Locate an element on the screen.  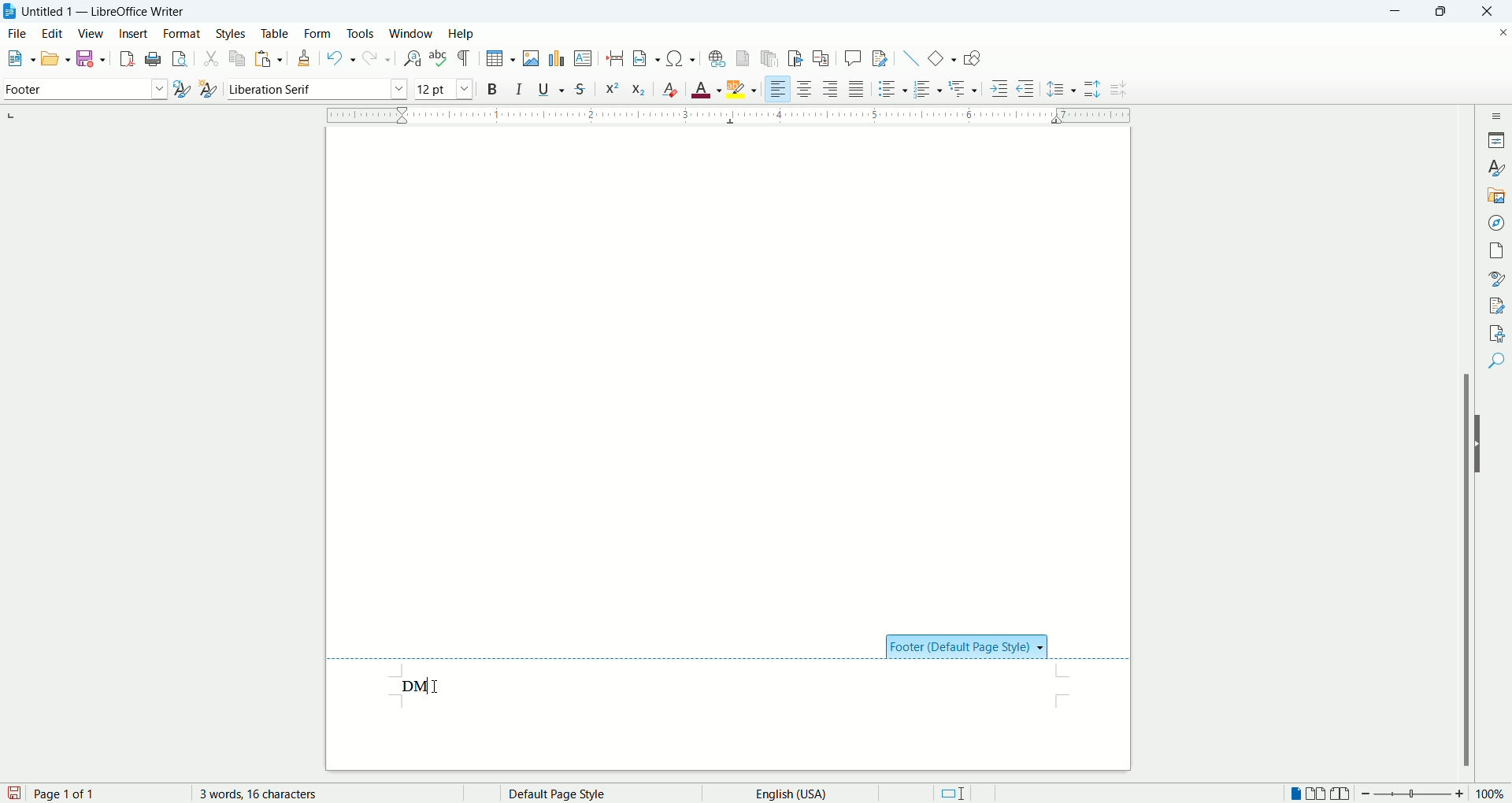
underline is located at coordinates (554, 89).